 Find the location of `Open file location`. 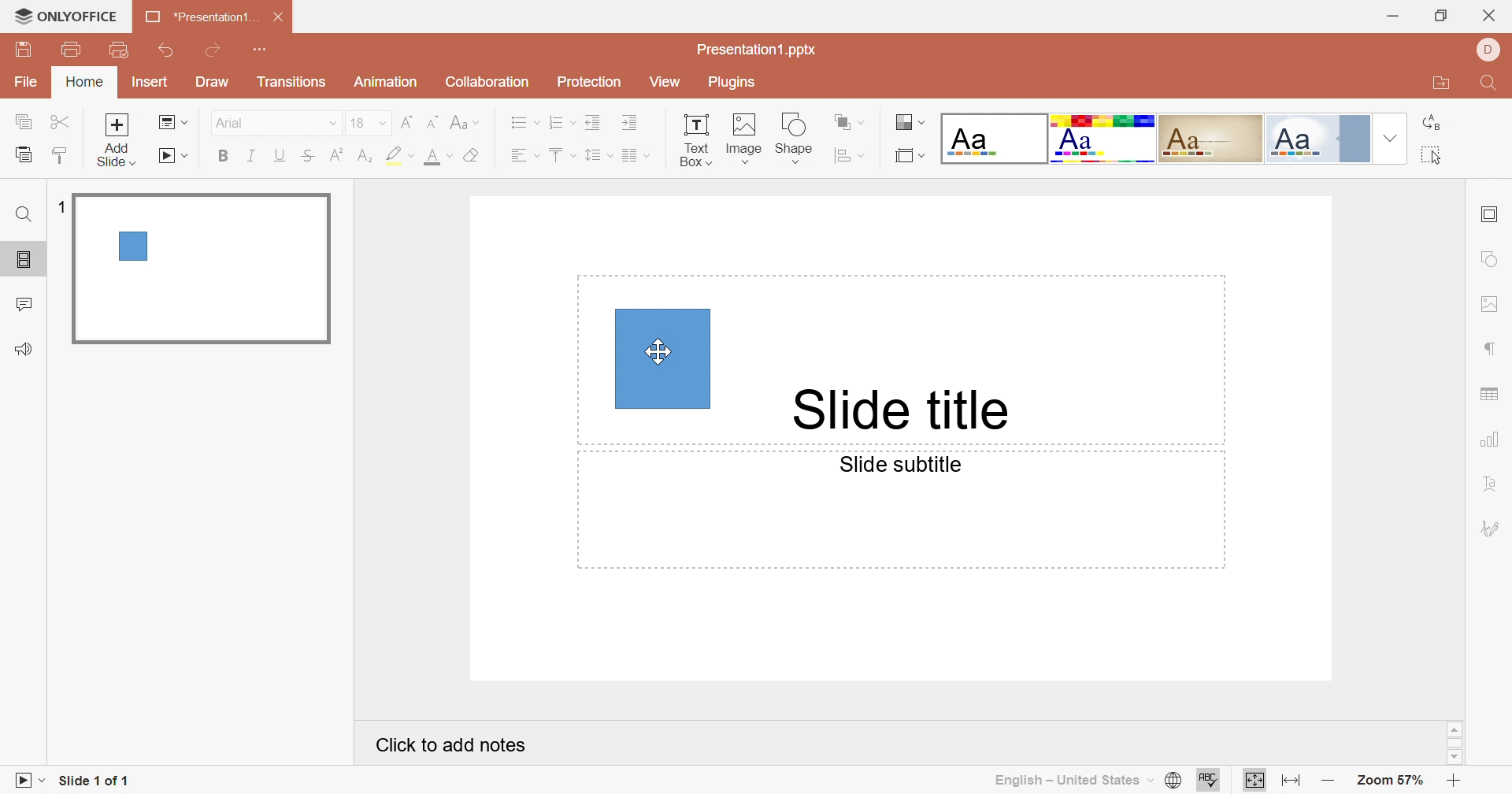

Open file location is located at coordinates (1444, 85).